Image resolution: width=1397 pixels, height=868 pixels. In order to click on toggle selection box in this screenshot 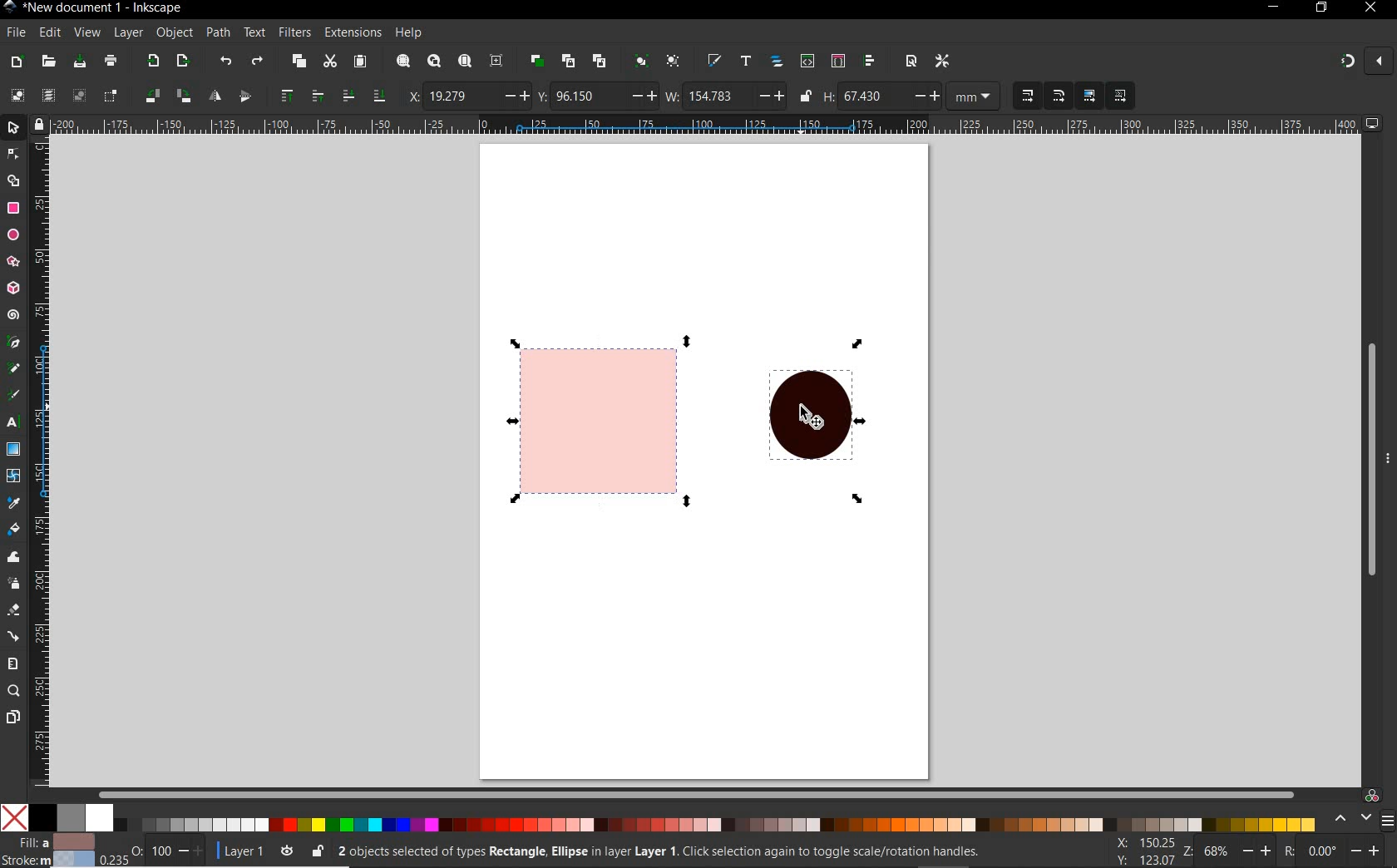, I will do `click(111, 96)`.